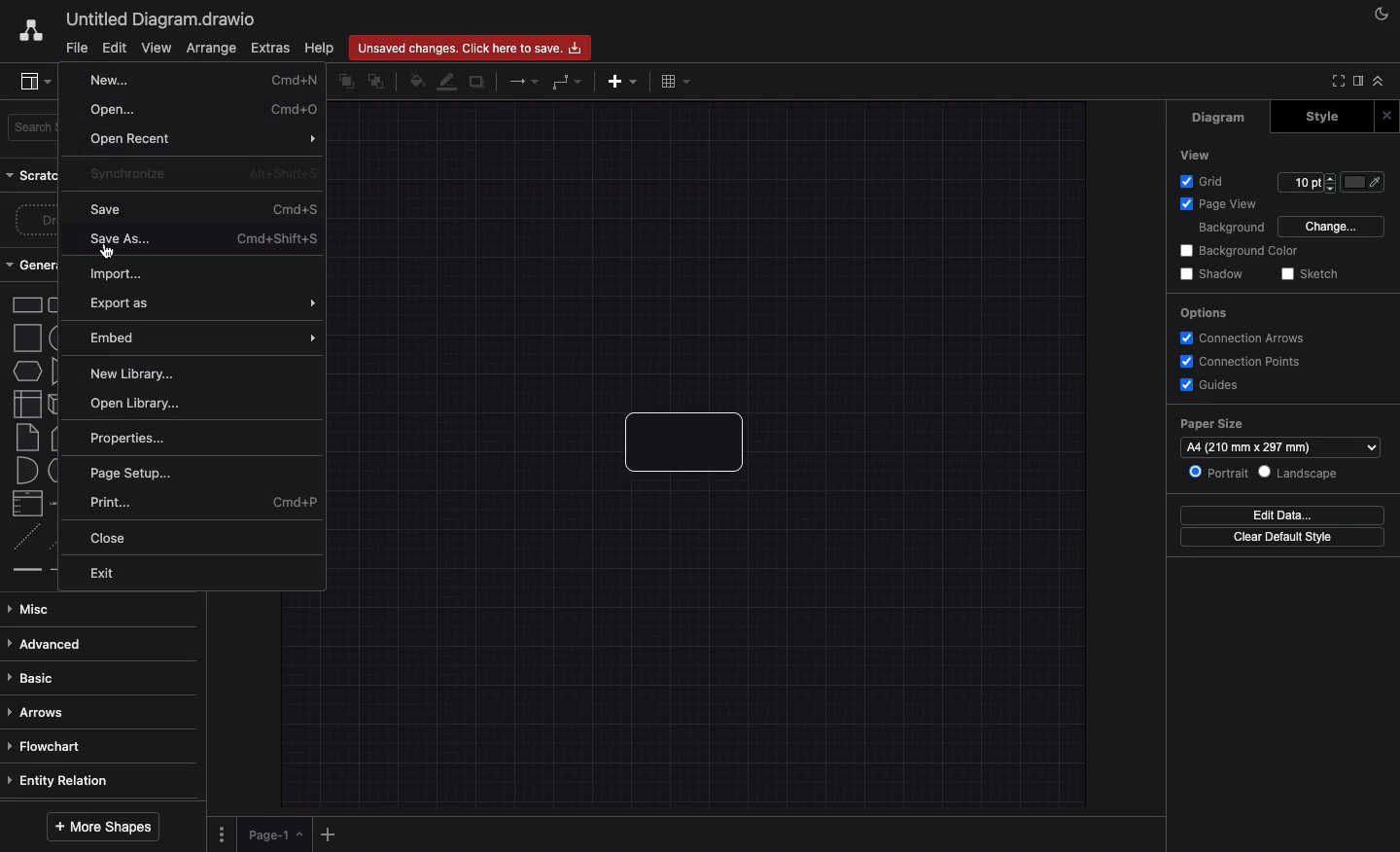  Describe the element at coordinates (112, 540) in the screenshot. I see `Close` at that location.